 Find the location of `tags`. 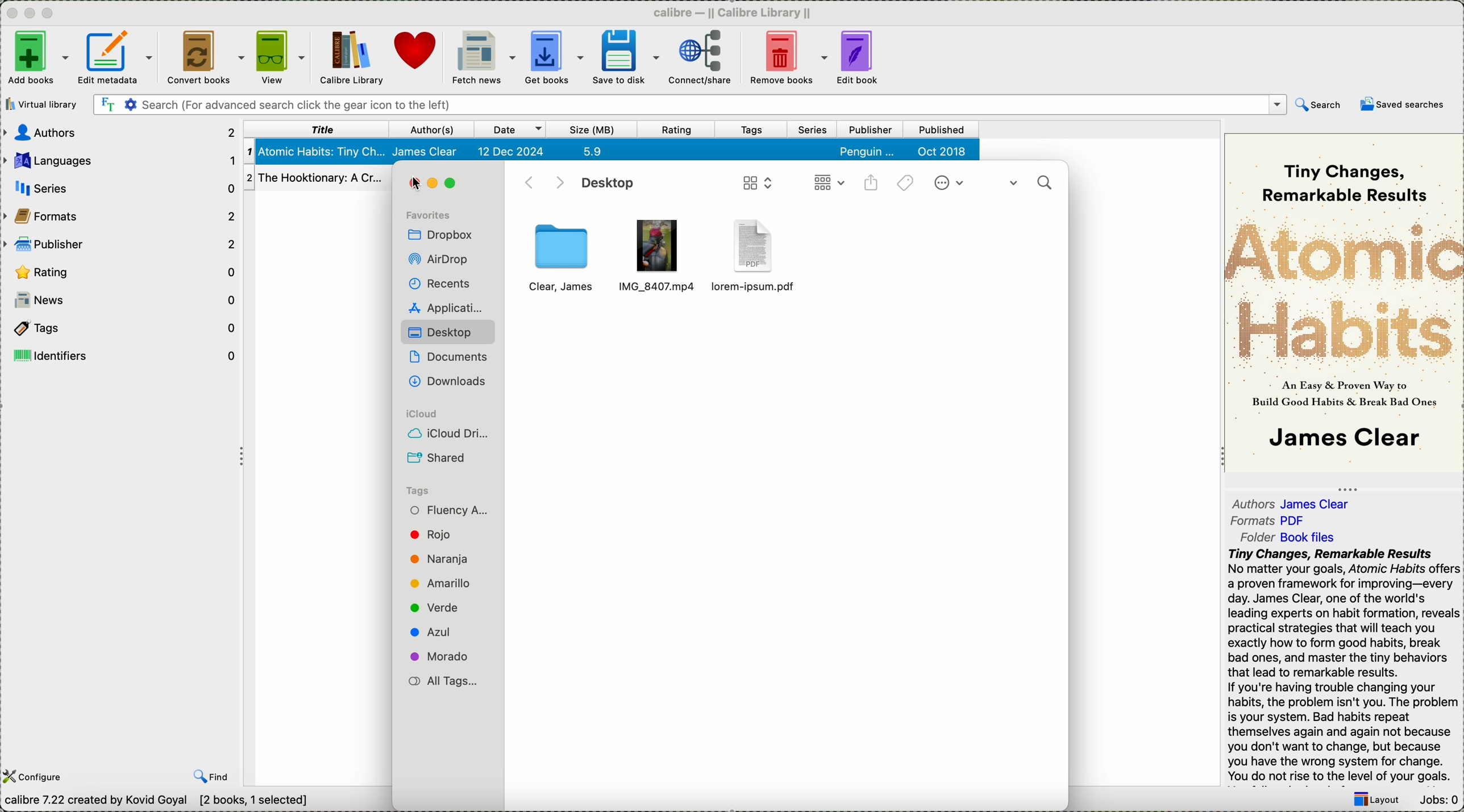

tags is located at coordinates (754, 130).